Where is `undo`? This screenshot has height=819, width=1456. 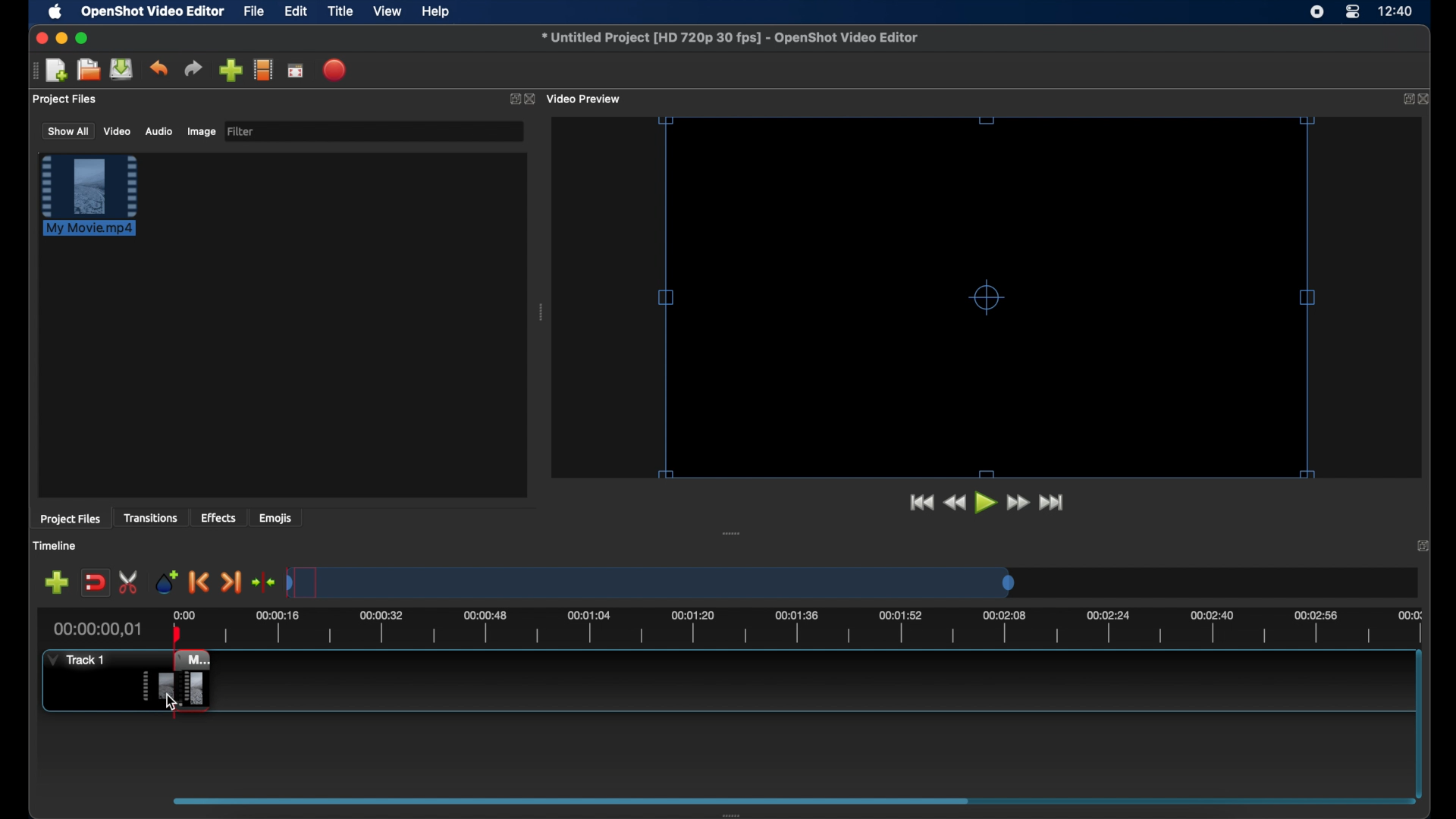
undo is located at coordinates (158, 67).